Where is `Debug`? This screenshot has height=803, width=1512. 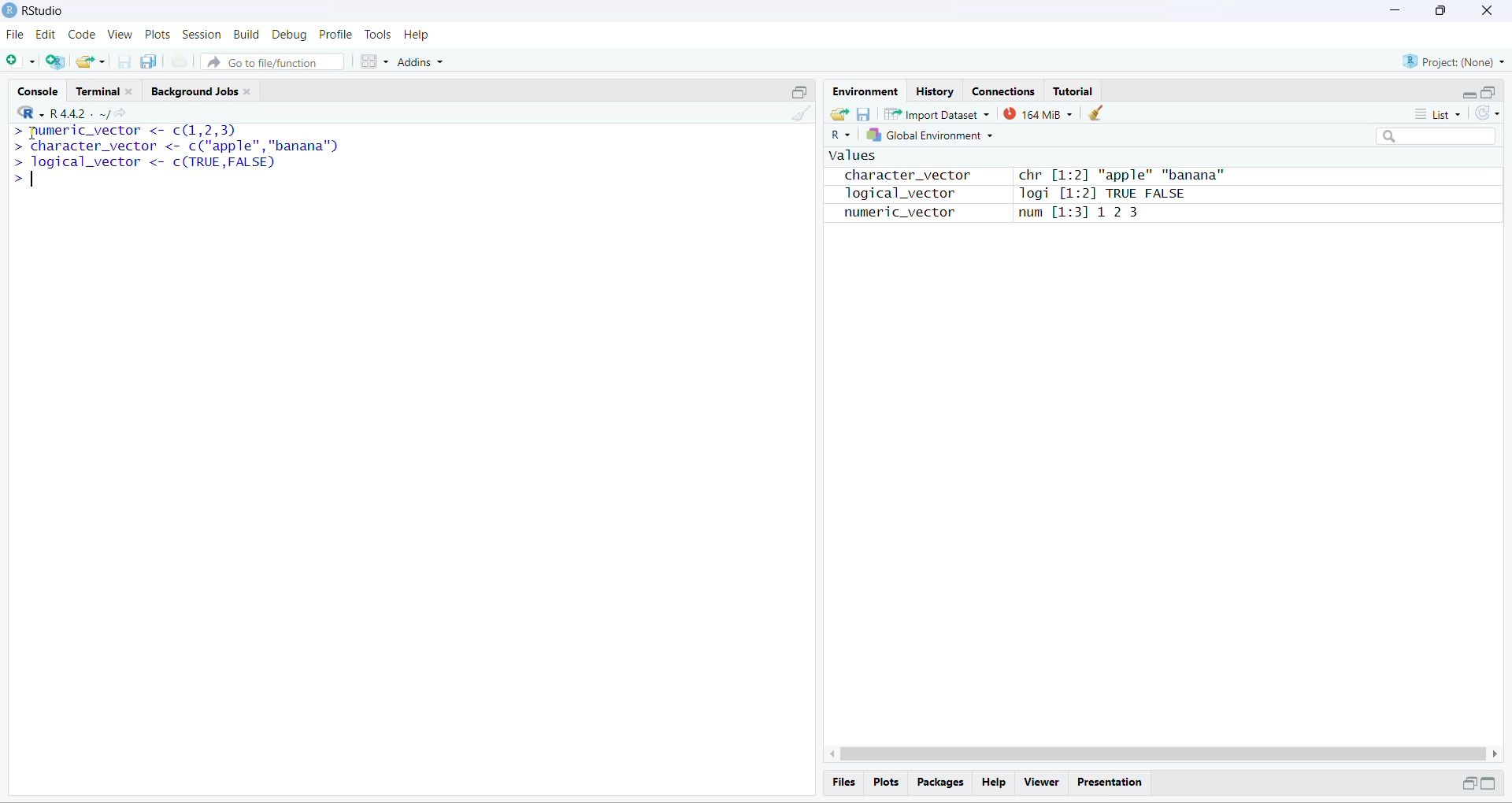
Debug is located at coordinates (290, 35).